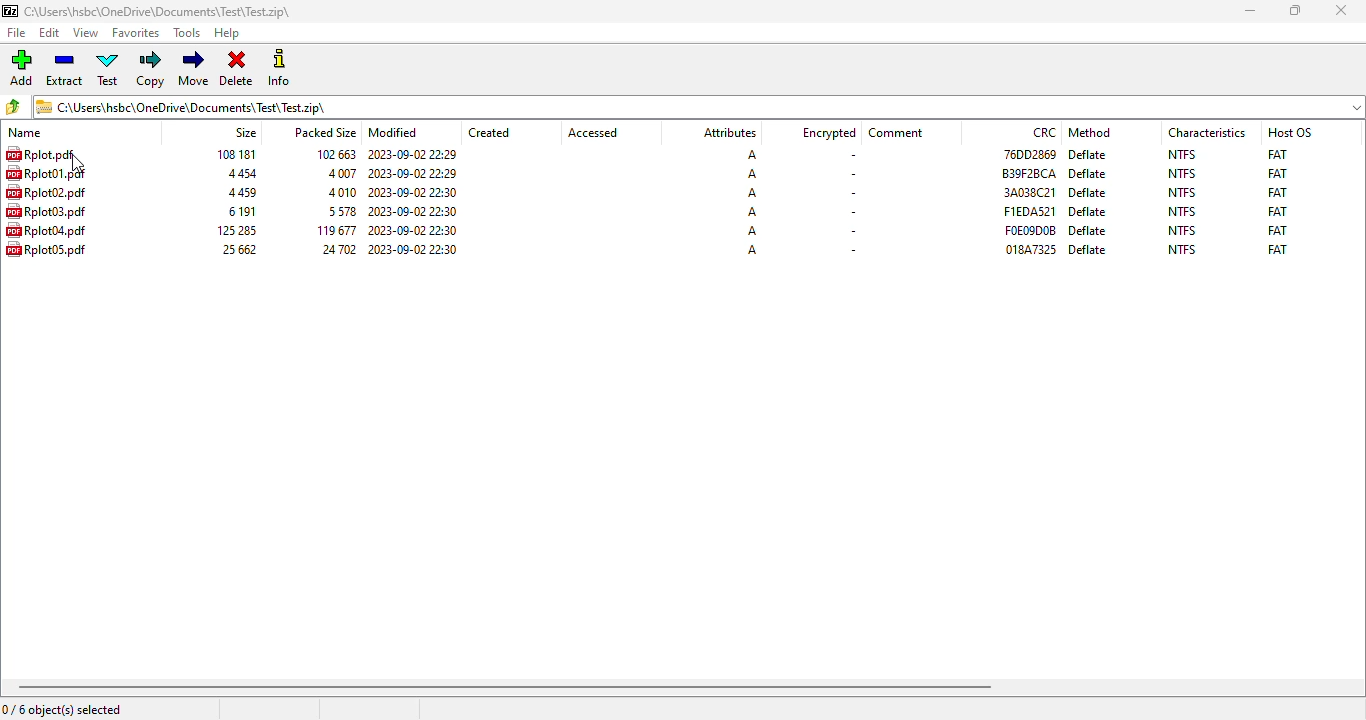  Describe the element at coordinates (234, 230) in the screenshot. I see `size` at that location.